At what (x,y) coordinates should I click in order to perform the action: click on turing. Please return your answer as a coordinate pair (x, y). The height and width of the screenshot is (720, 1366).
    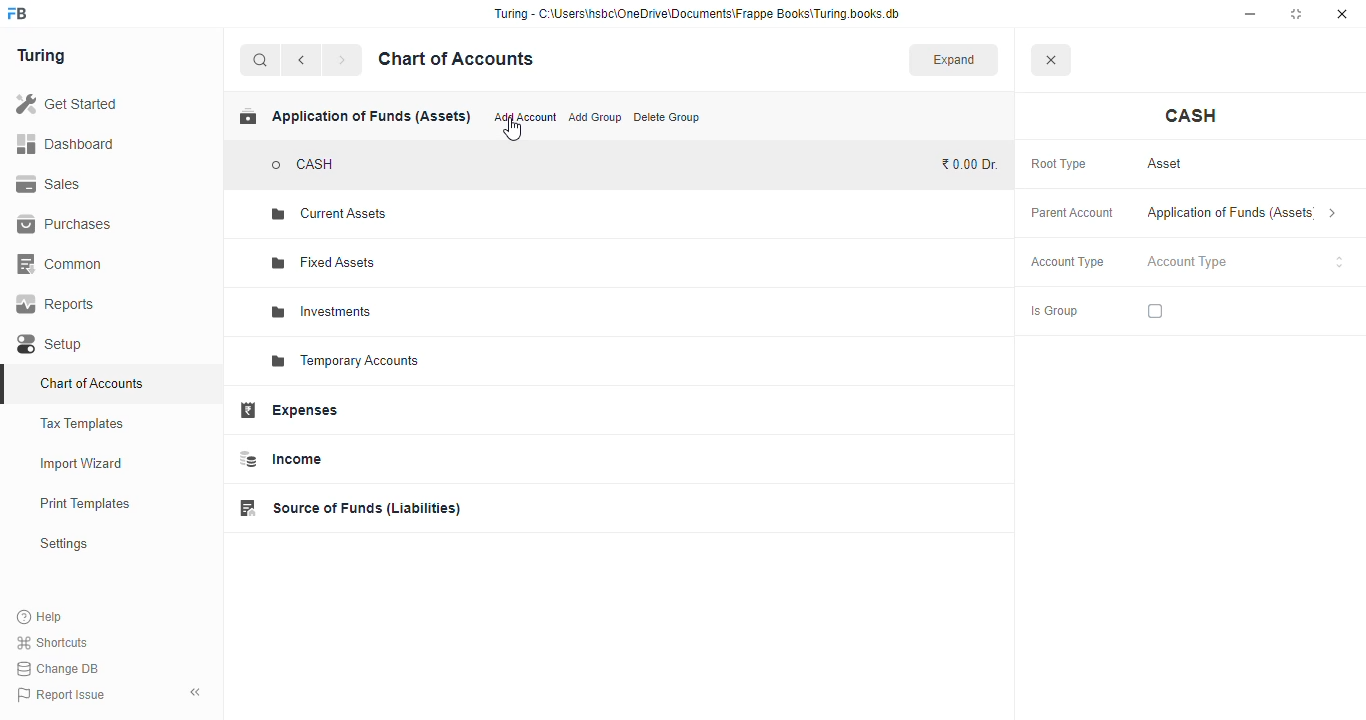
    Looking at the image, I should click on (40, 56).